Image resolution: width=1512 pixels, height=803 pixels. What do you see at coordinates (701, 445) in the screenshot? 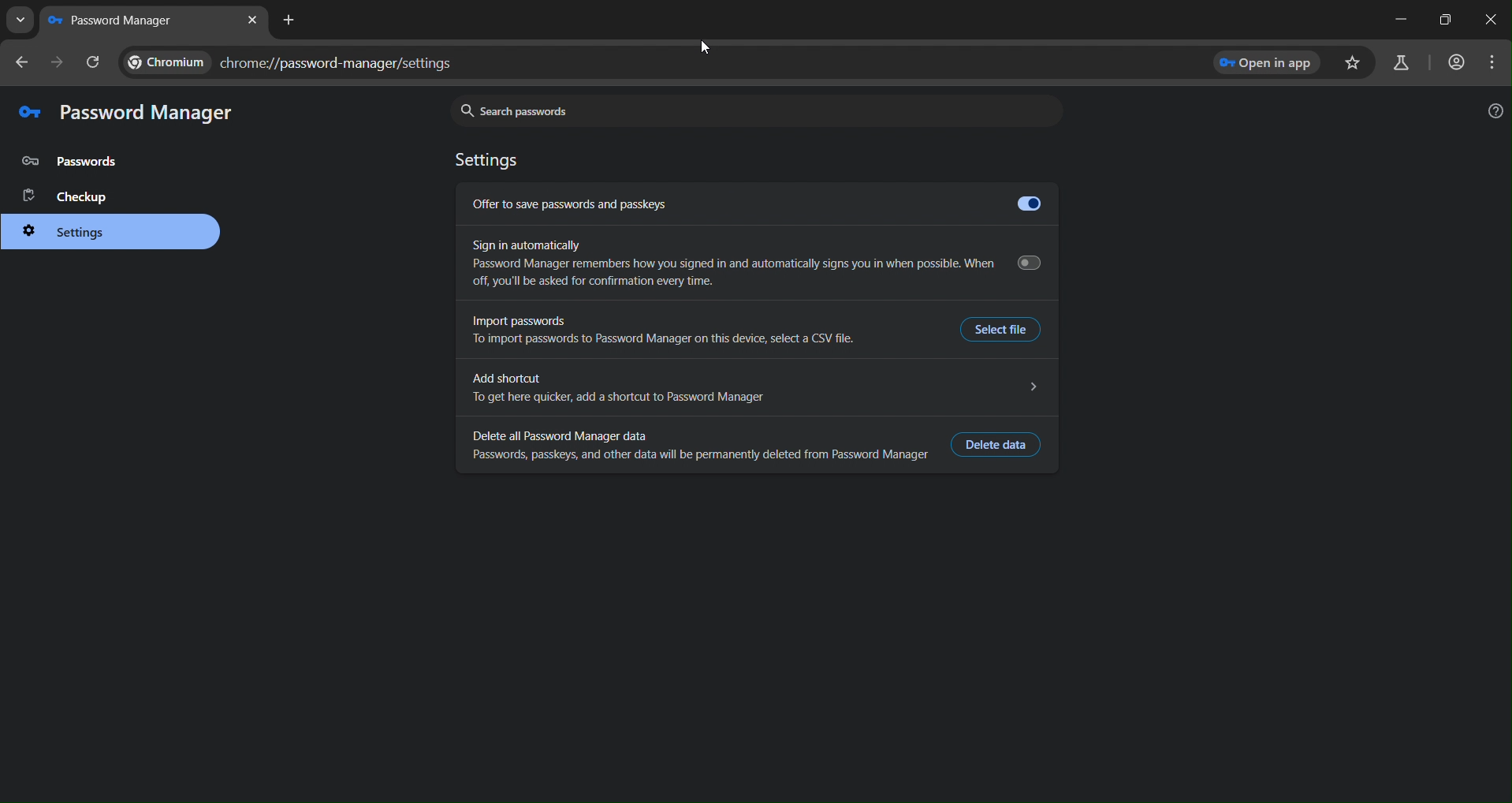
I see `Delete all Password Manager data
Passwords, passkeys, and other data will be permanently deleted from Password Manager` at bounding box center [701, 445].